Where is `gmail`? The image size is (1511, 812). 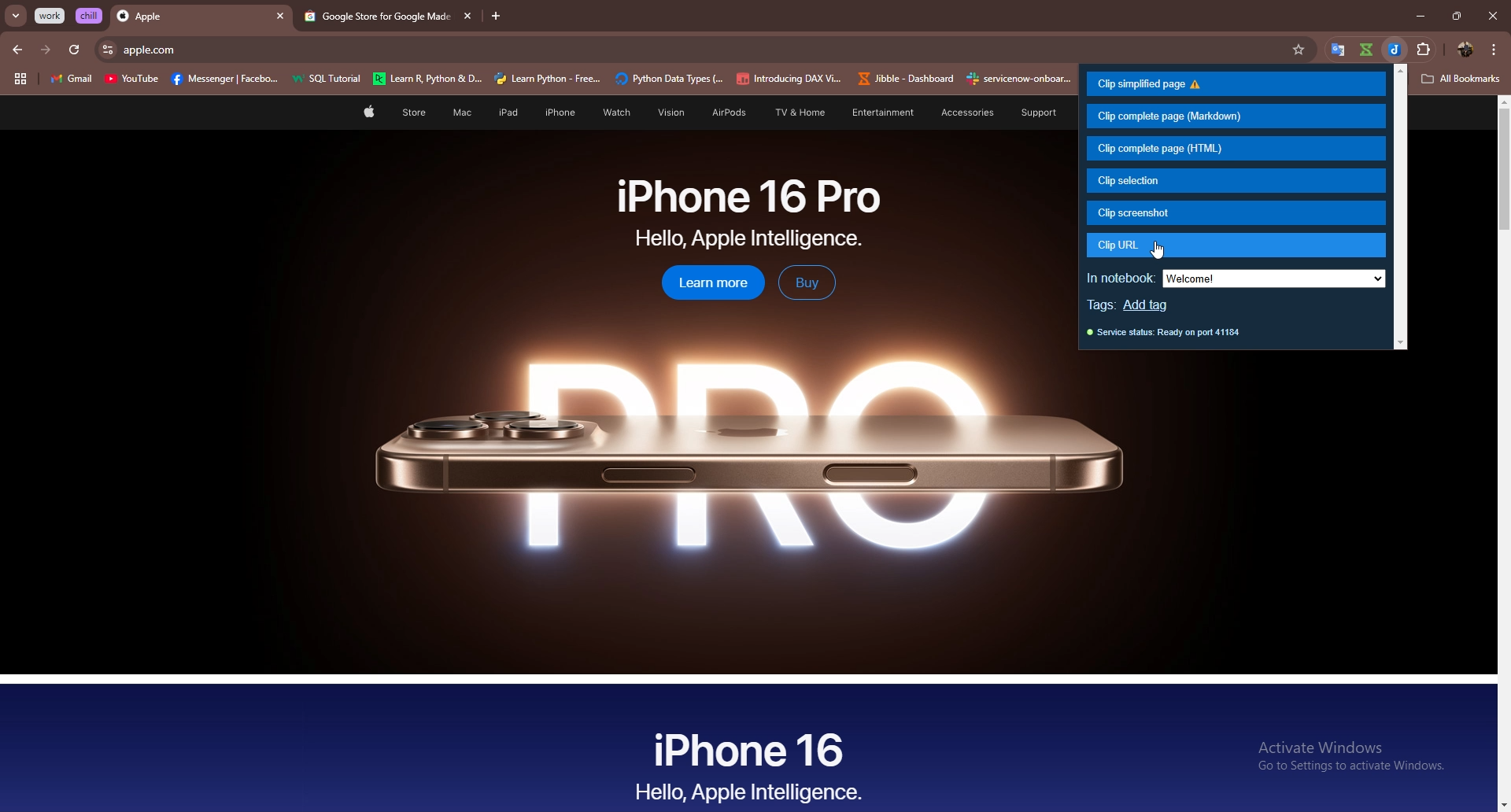
gmail is located at coordinates (71, 80).